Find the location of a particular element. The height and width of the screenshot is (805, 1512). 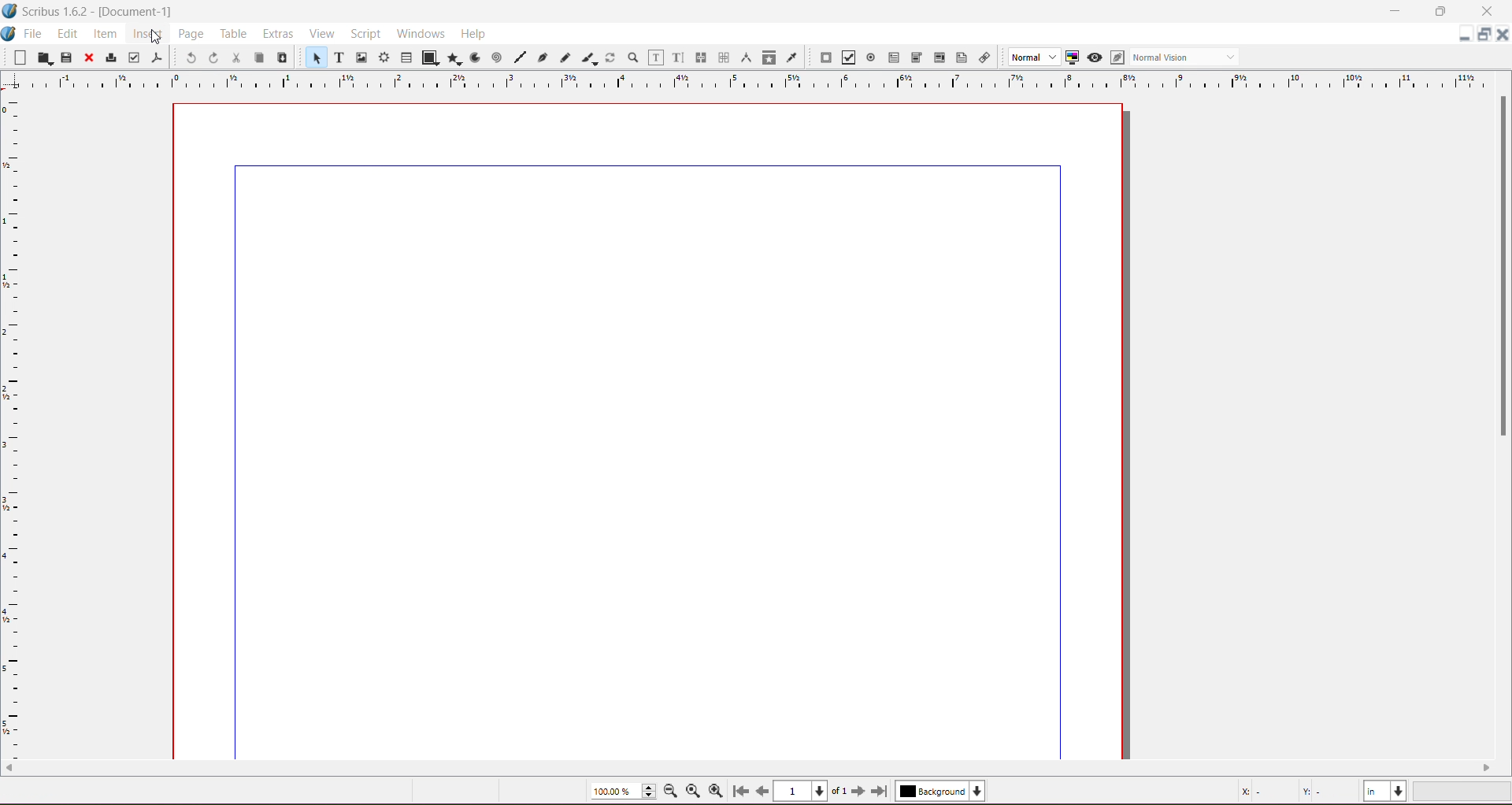

Document is located at coordinates (9, 35).